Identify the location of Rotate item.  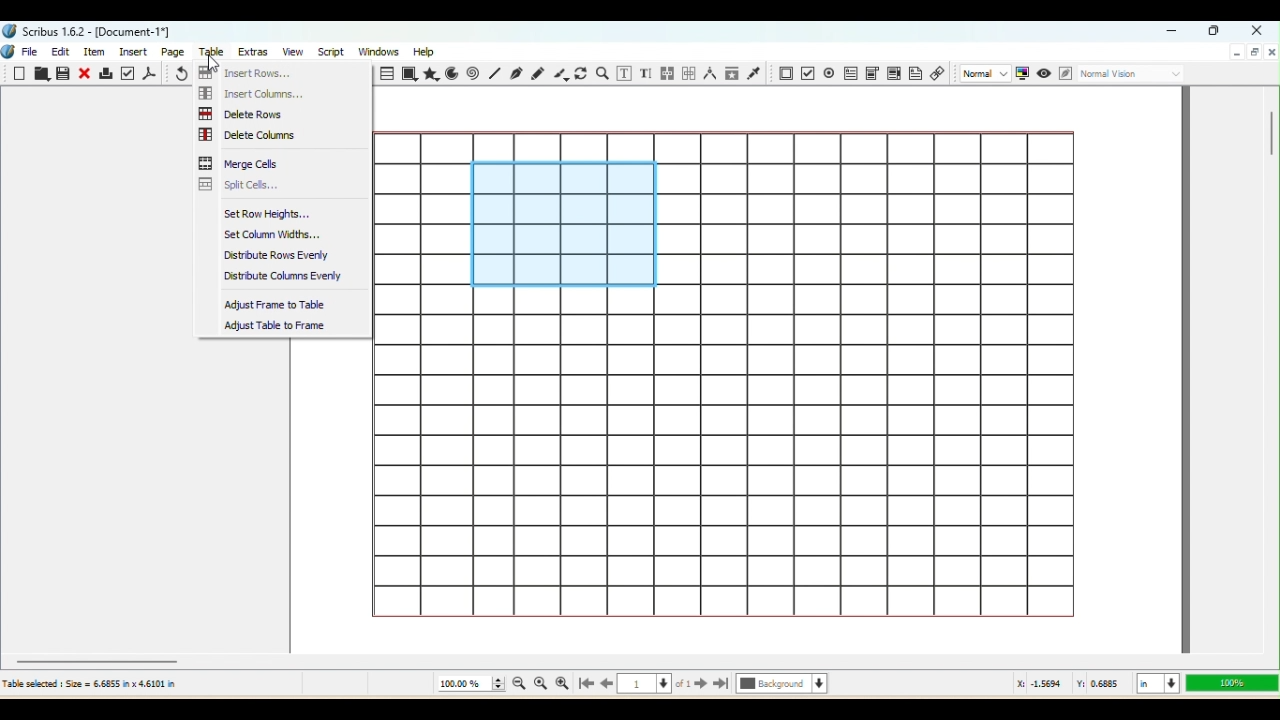
(581, 74).